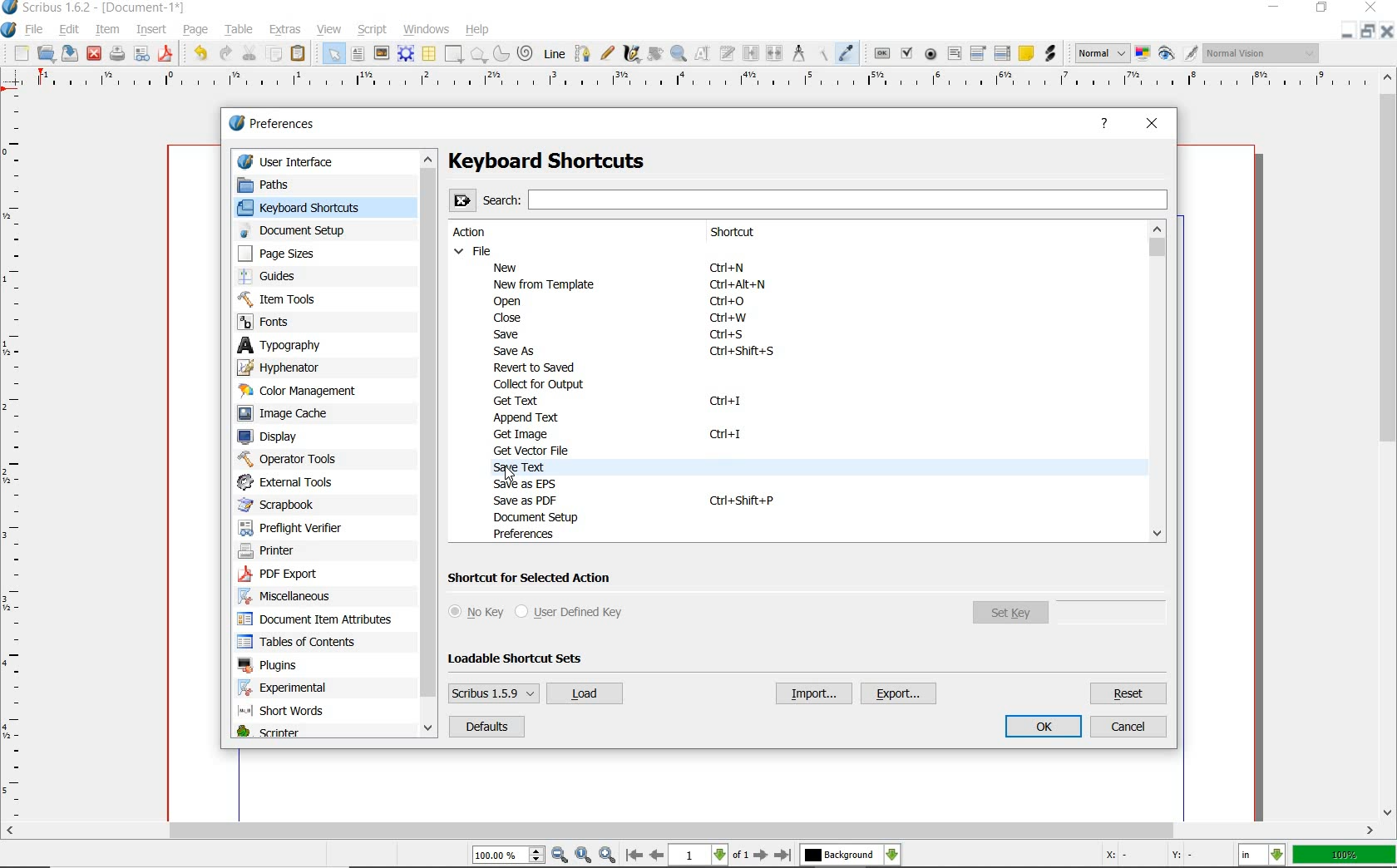 The height and width of the screenshot is (868, 1397). I want to click on close, so click(1153, 126).